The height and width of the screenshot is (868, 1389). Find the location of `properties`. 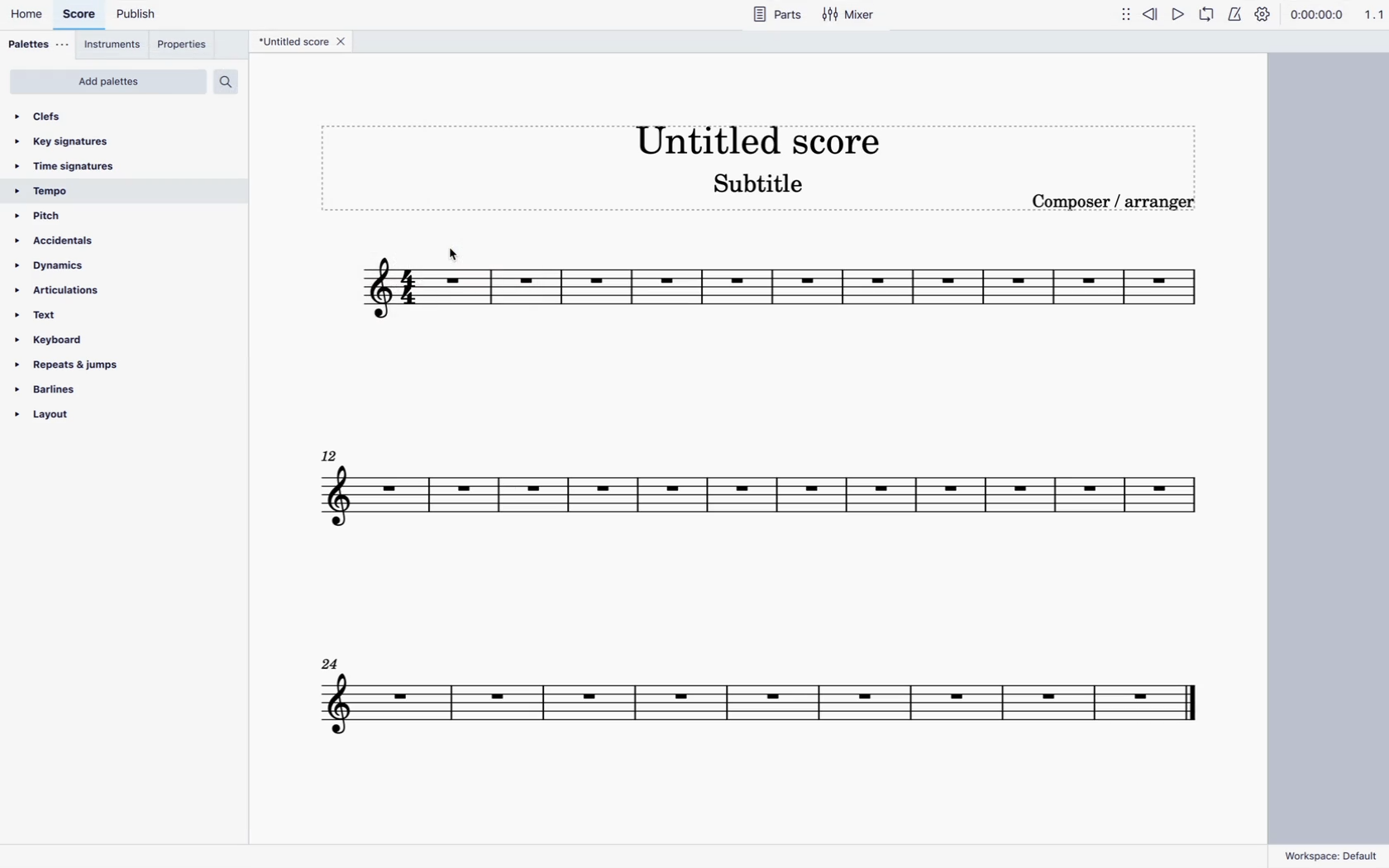

properties is located at coordinates (185, 45).